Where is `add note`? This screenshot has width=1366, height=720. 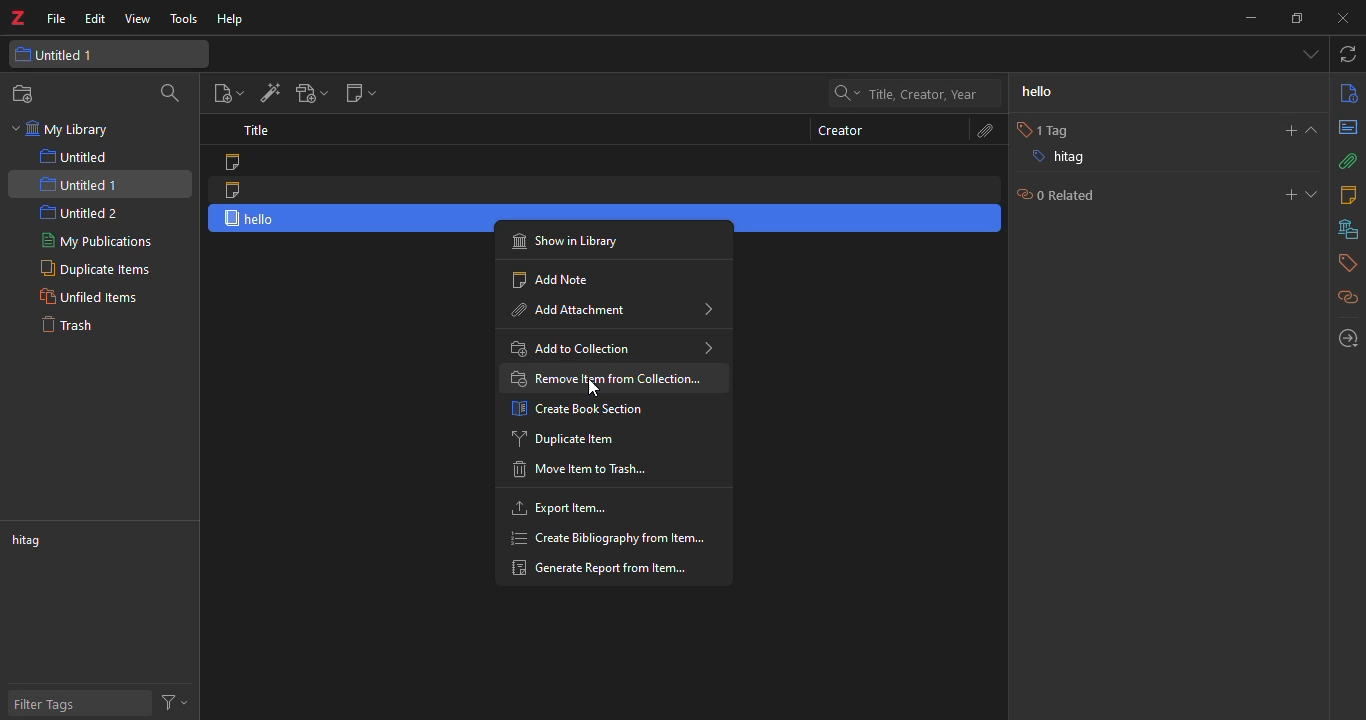
add note is located at coordinates (559, 277).